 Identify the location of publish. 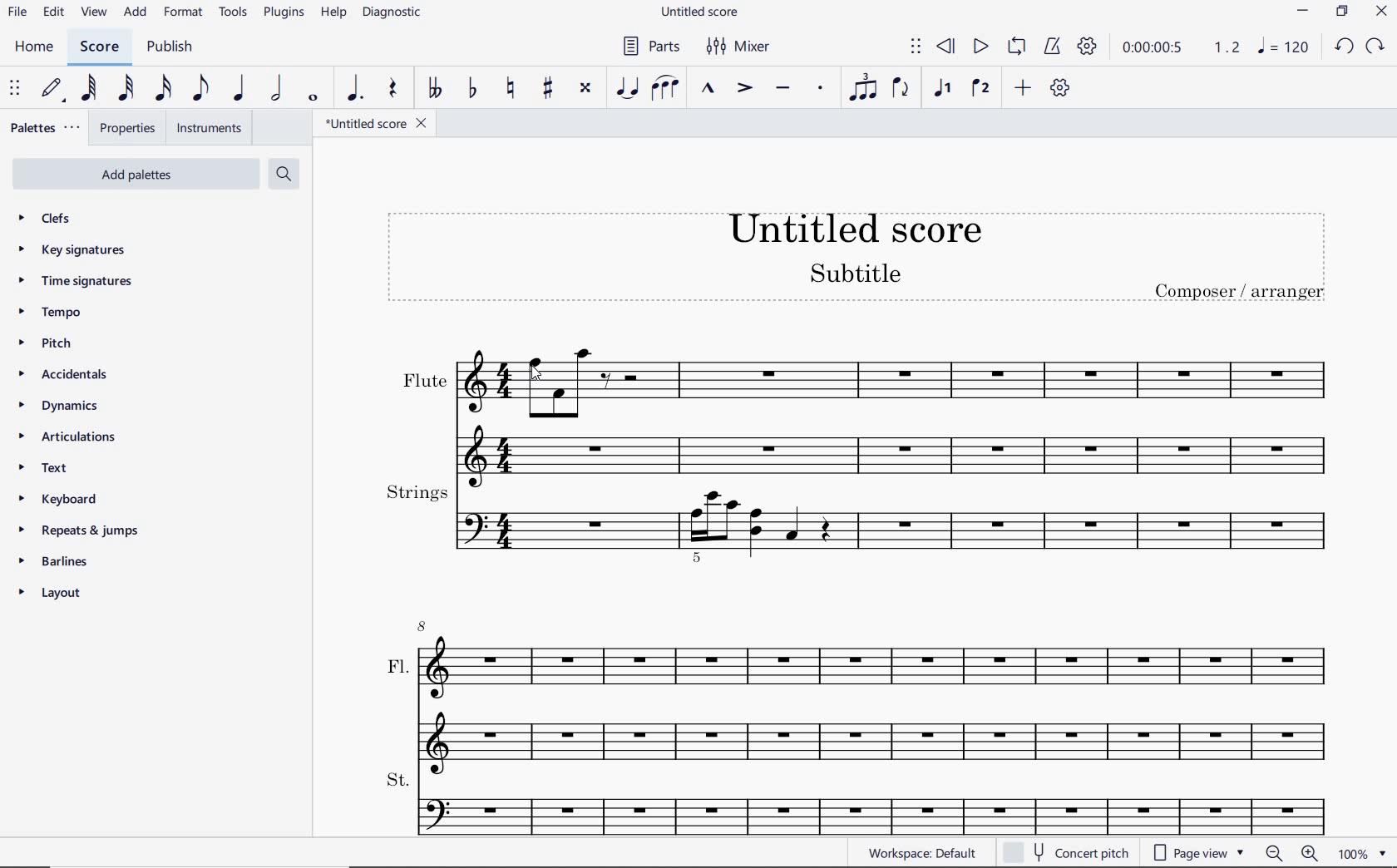
(169, 47).